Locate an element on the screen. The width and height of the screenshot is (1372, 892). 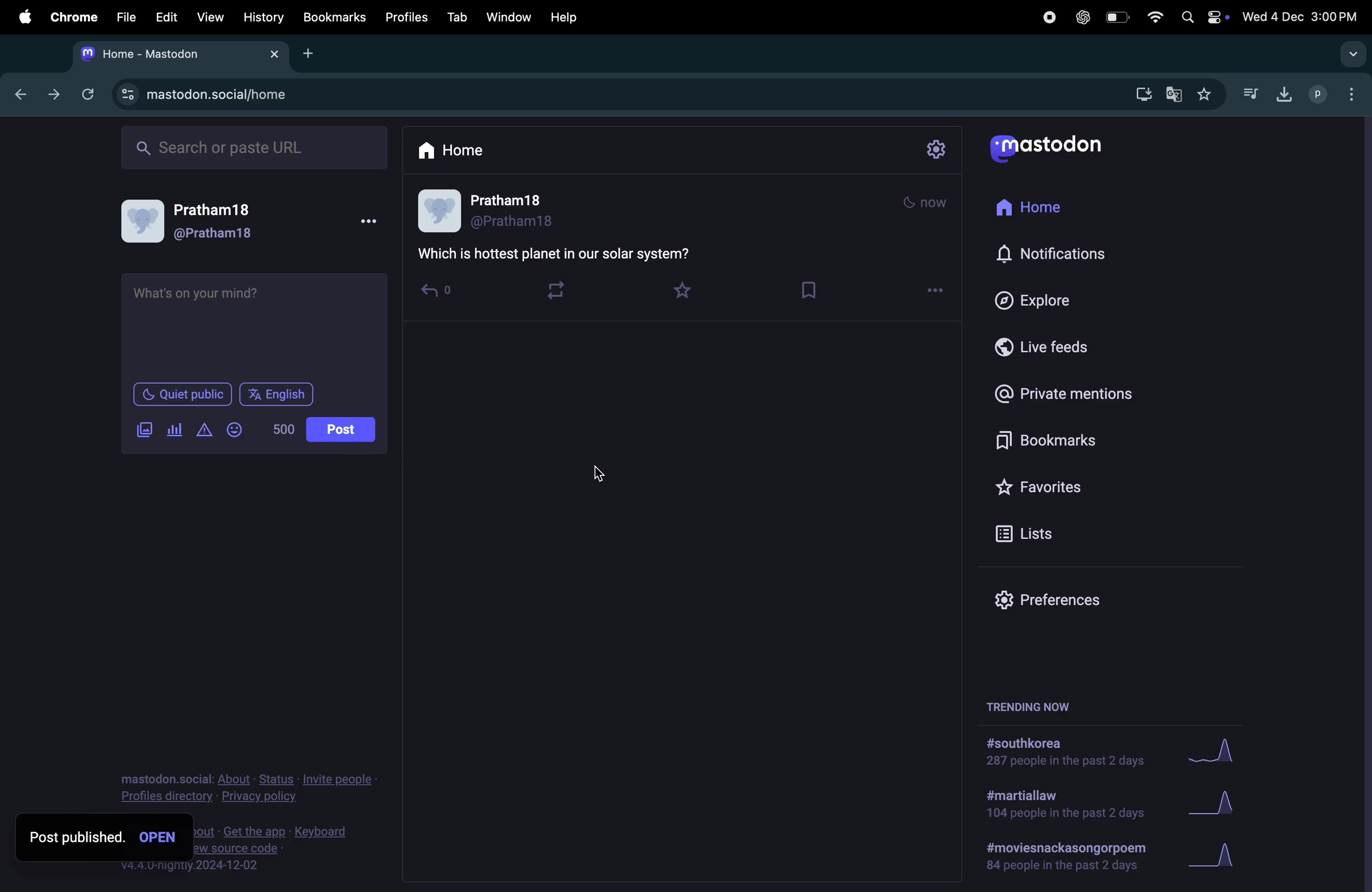
Mastodon is located at coordinates (1058, 147).